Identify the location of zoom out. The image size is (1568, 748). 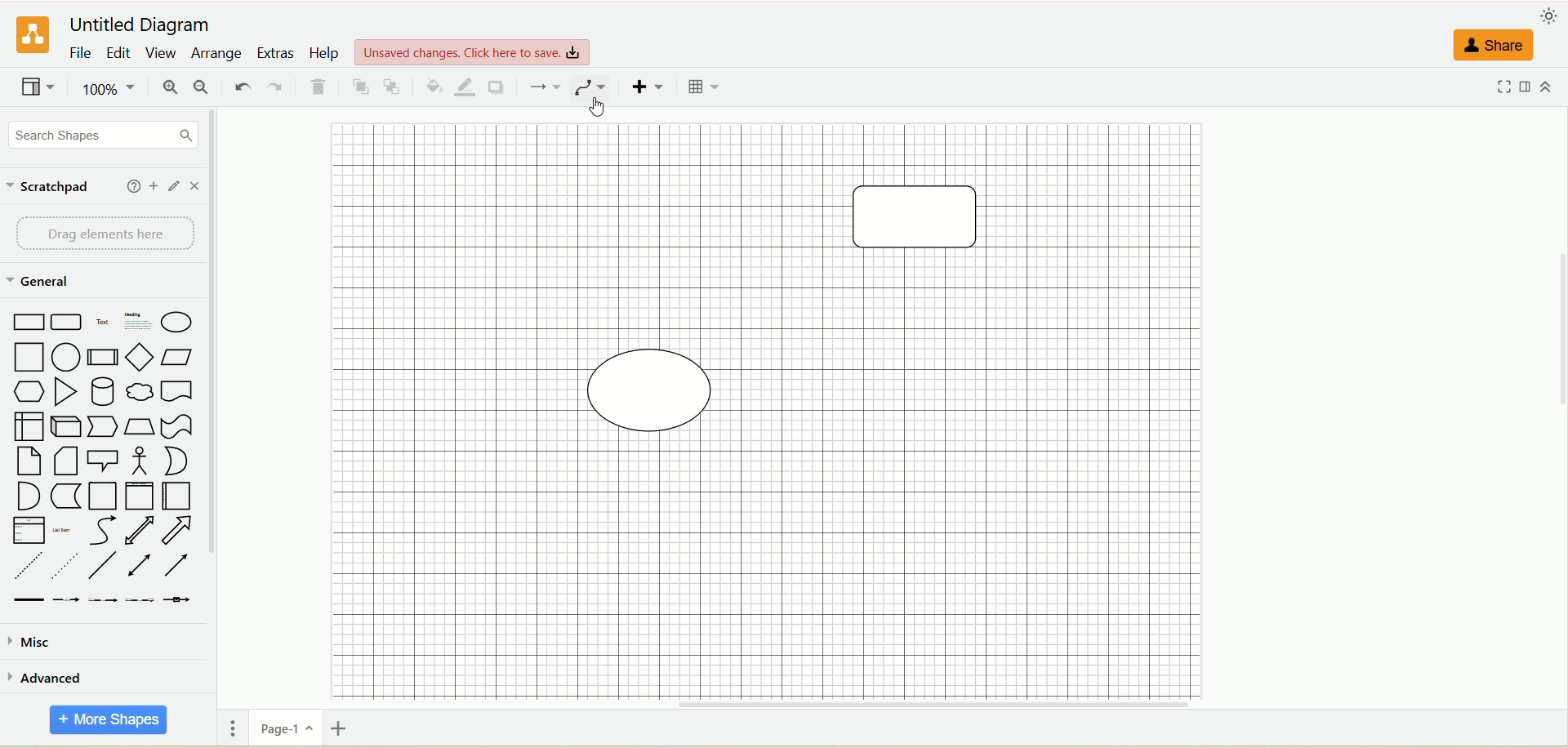
(207, 88).